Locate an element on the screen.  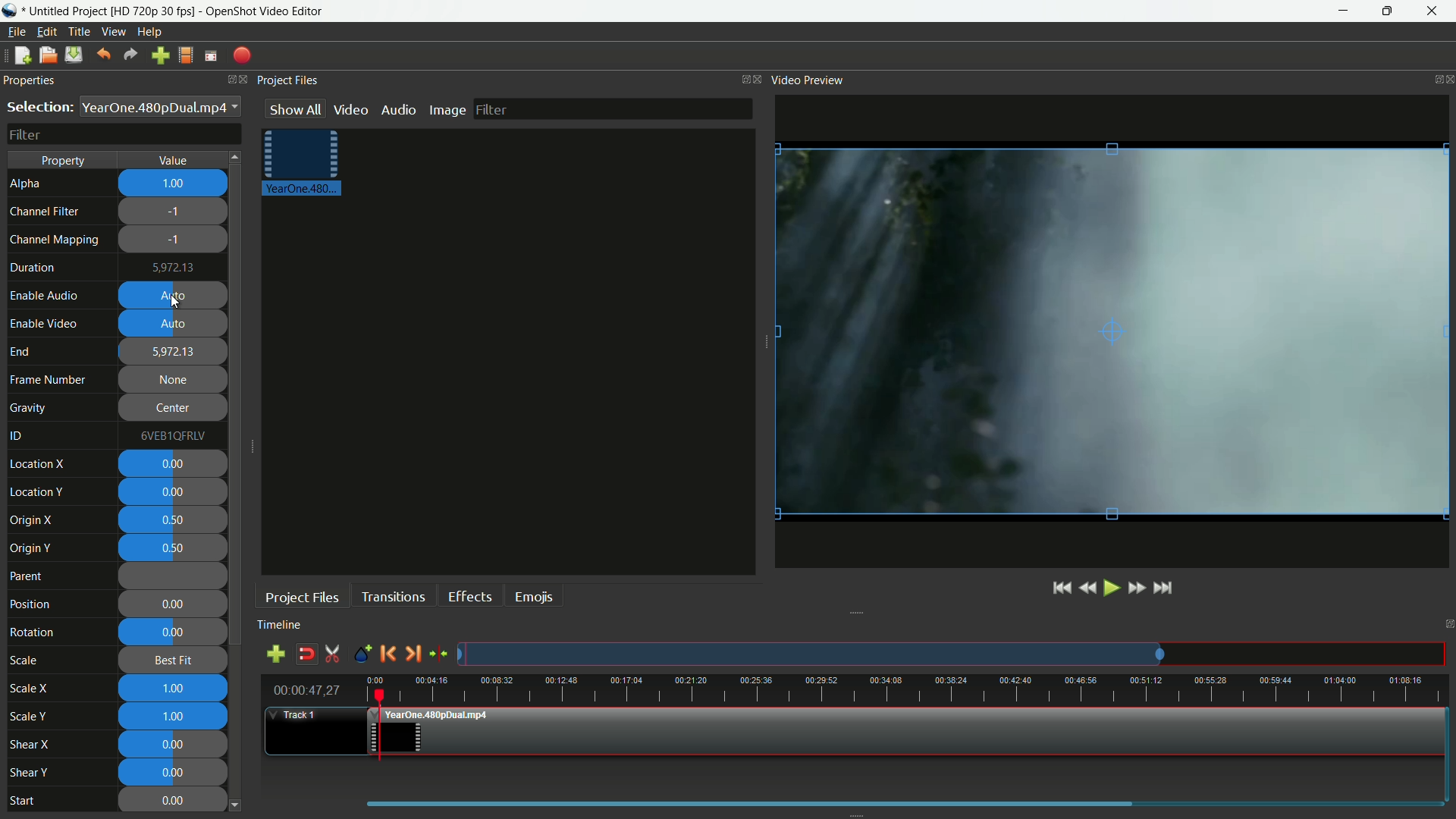
rewind is located at coordinates (1015, 588).